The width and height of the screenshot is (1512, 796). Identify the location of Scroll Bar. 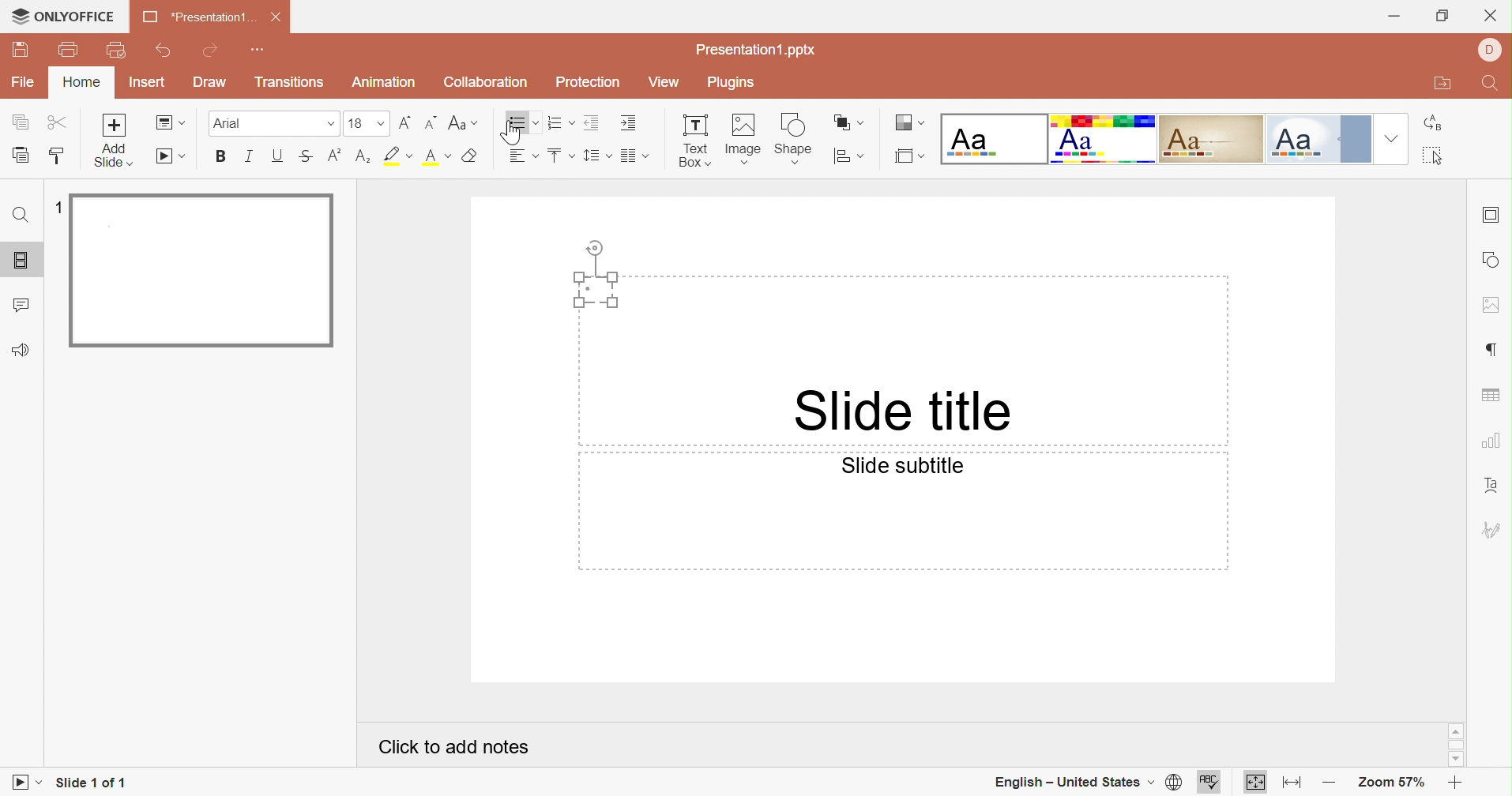
(1460, 746).